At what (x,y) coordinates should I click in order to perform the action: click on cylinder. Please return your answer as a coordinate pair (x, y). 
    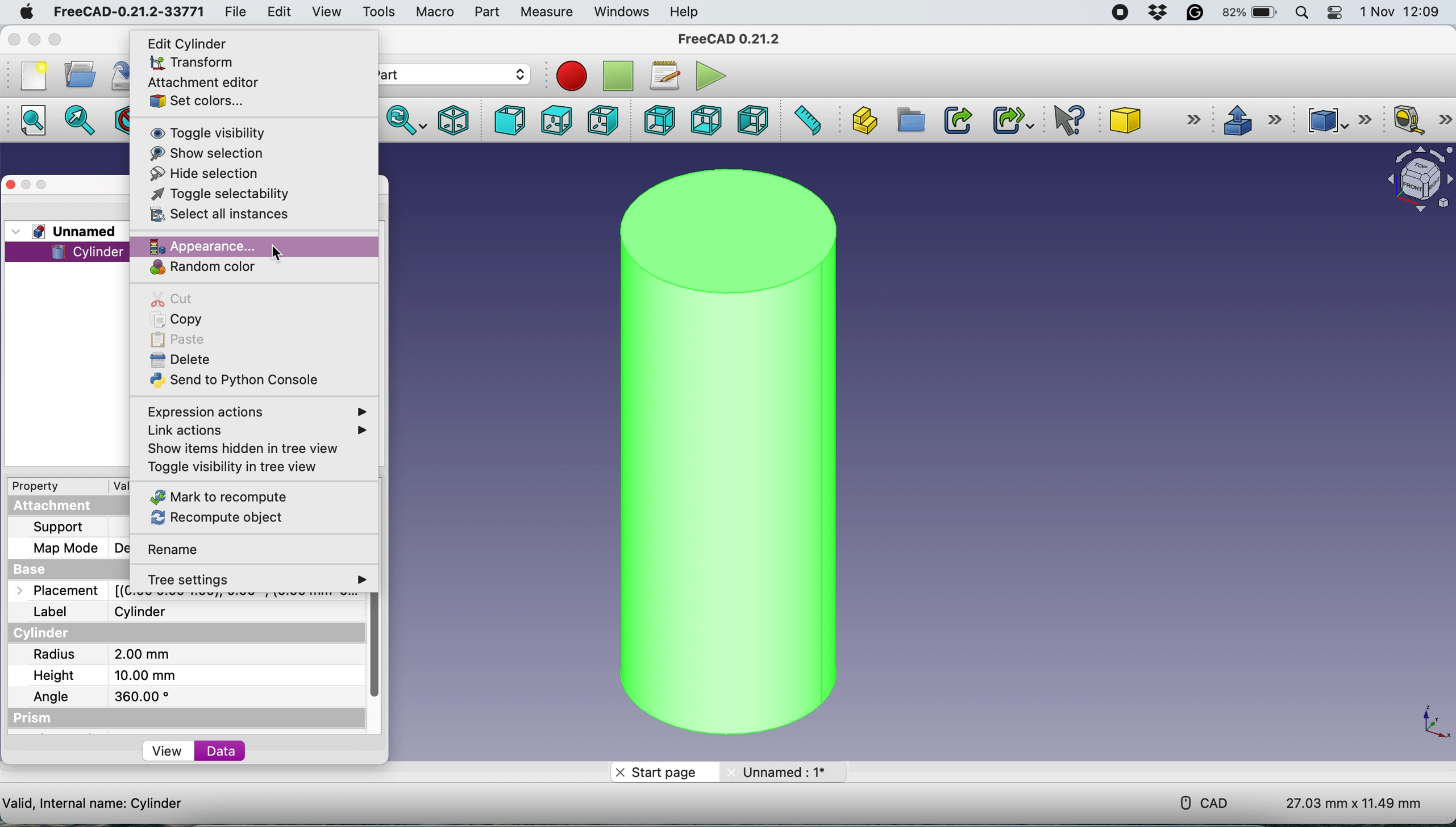
    Looking at the image, I should click on (87, 251).